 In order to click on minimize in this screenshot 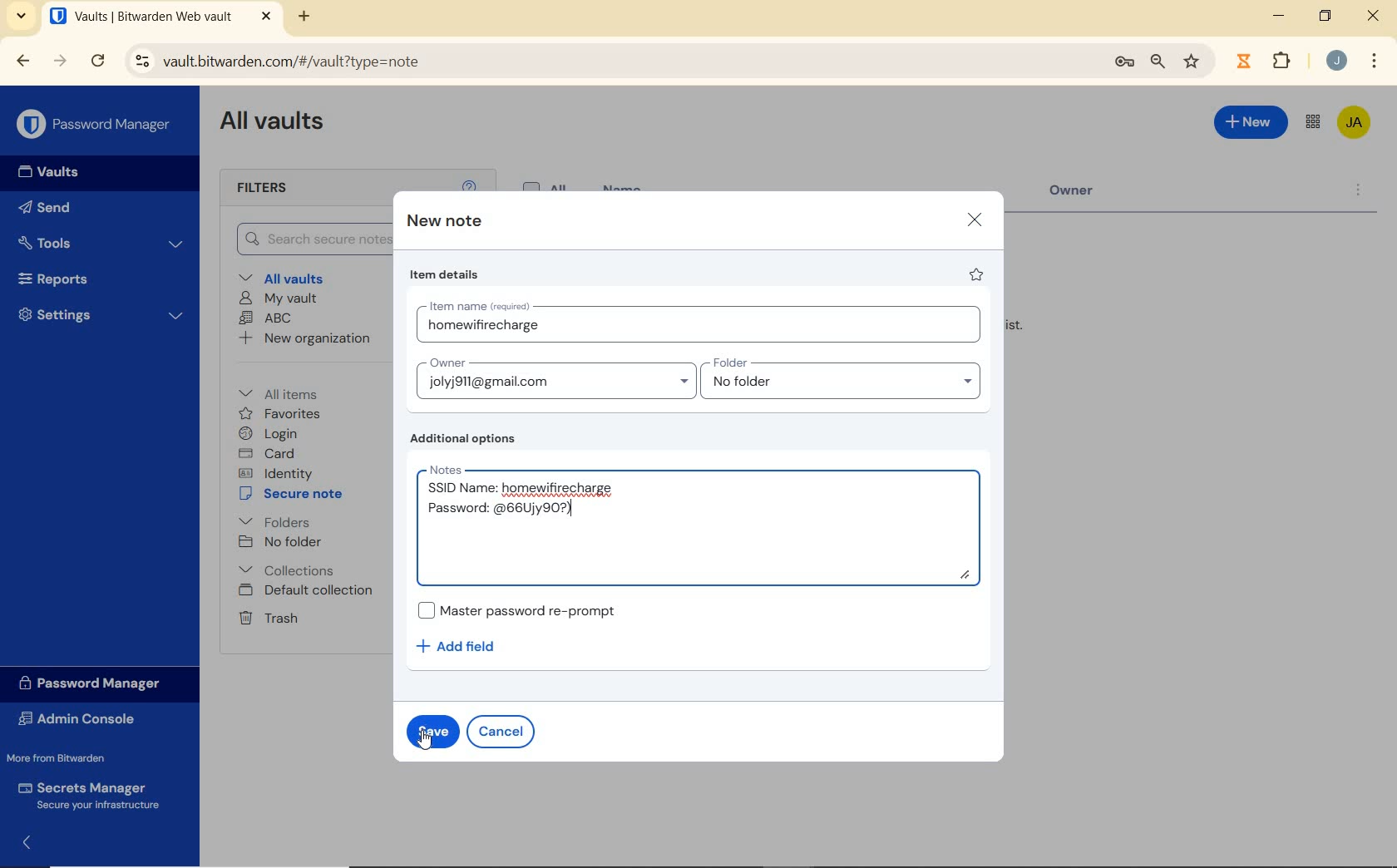, I will do `click(1279, 15)`.